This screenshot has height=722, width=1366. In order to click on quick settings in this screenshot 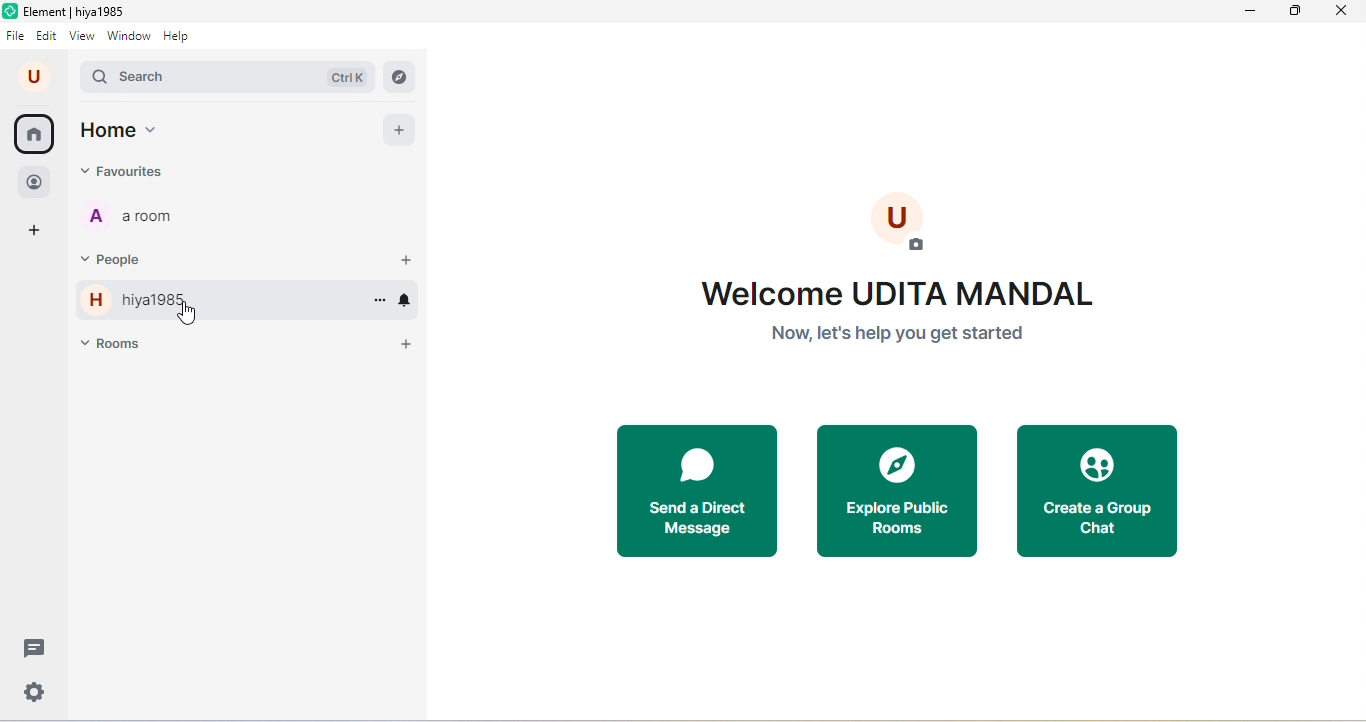, I will do `click(33, 691)`.